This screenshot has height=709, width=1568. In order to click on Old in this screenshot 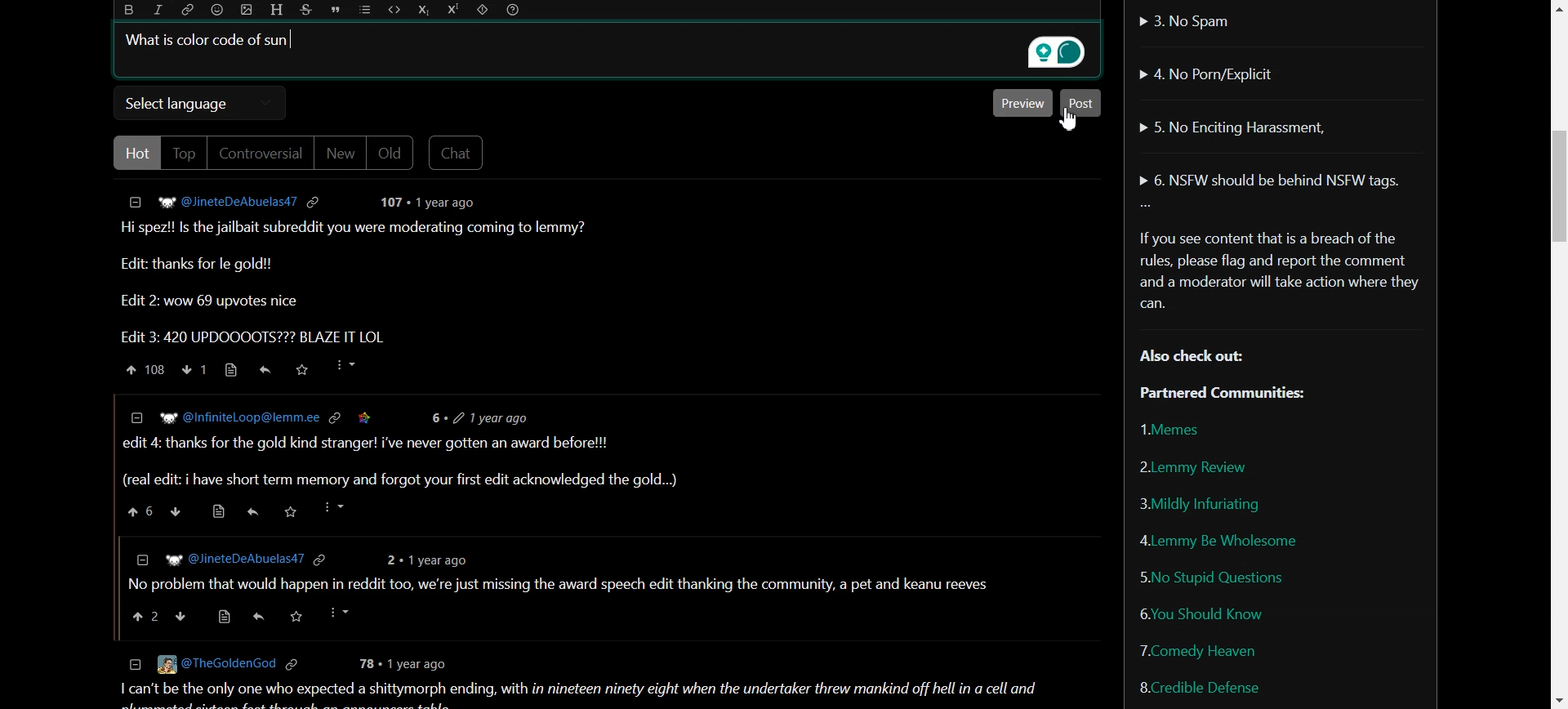, I will do `click(390, 154)`.